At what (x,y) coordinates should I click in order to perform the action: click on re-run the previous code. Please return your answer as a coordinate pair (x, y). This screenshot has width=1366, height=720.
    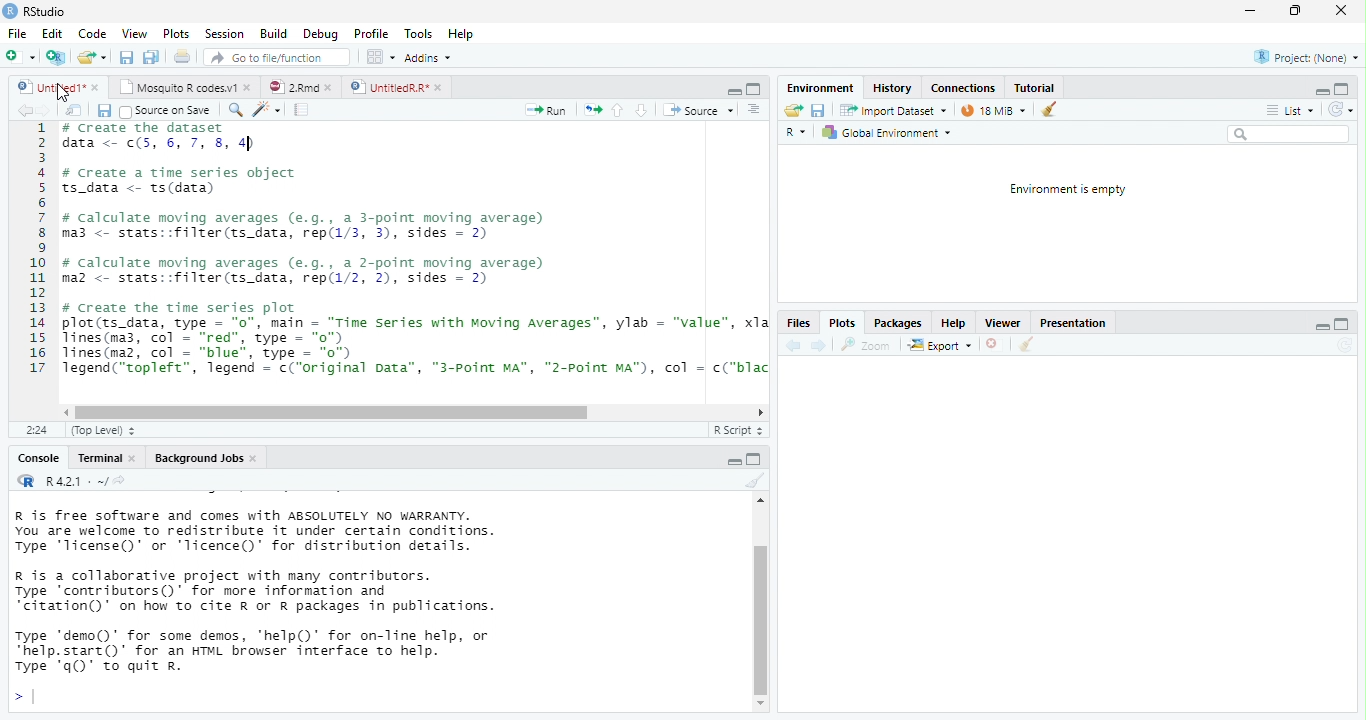
    Looking at the image, I should click on (593, 110).